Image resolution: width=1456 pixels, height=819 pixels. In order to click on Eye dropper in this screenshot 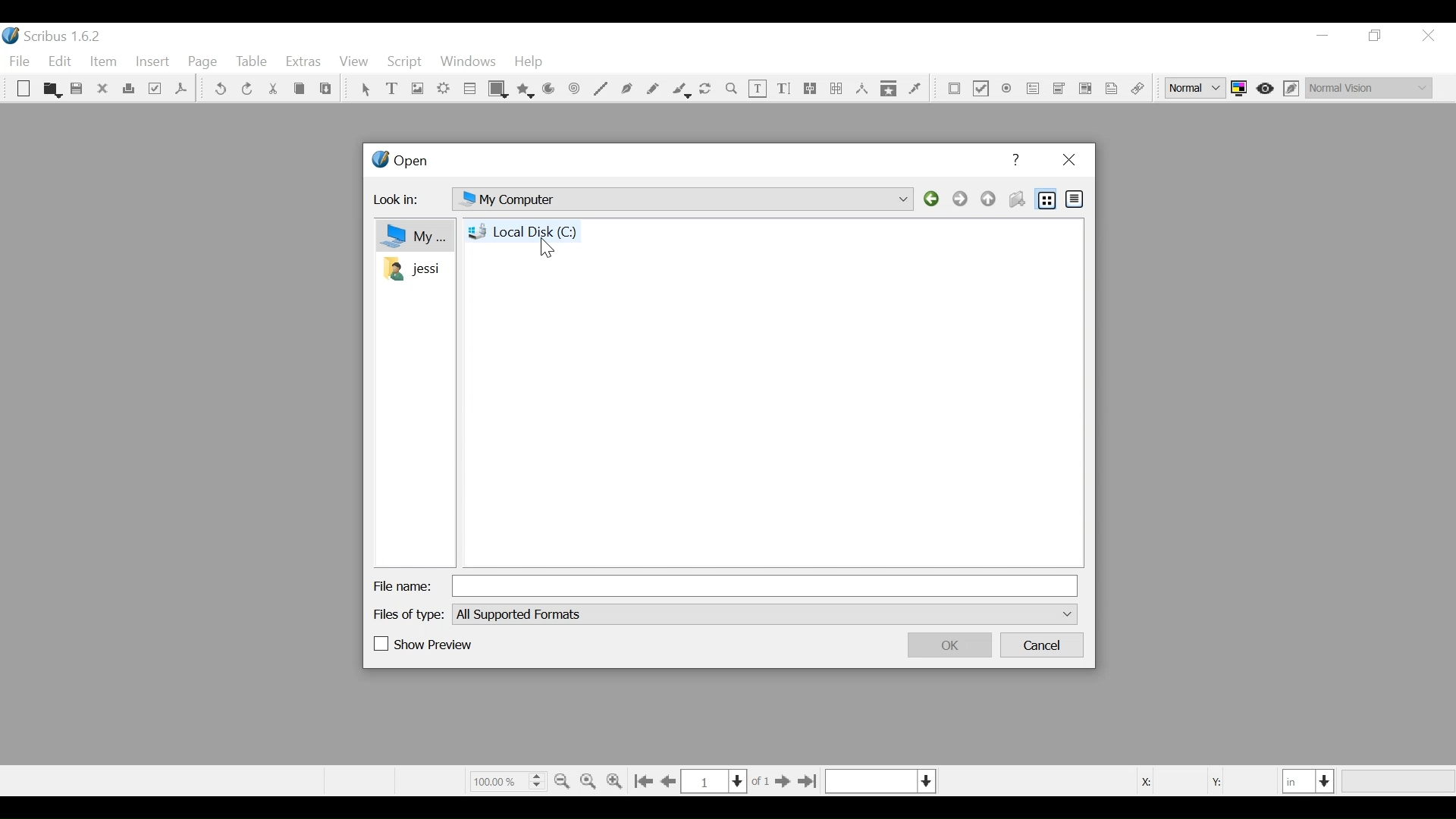, I will do `click(915, 88)`.